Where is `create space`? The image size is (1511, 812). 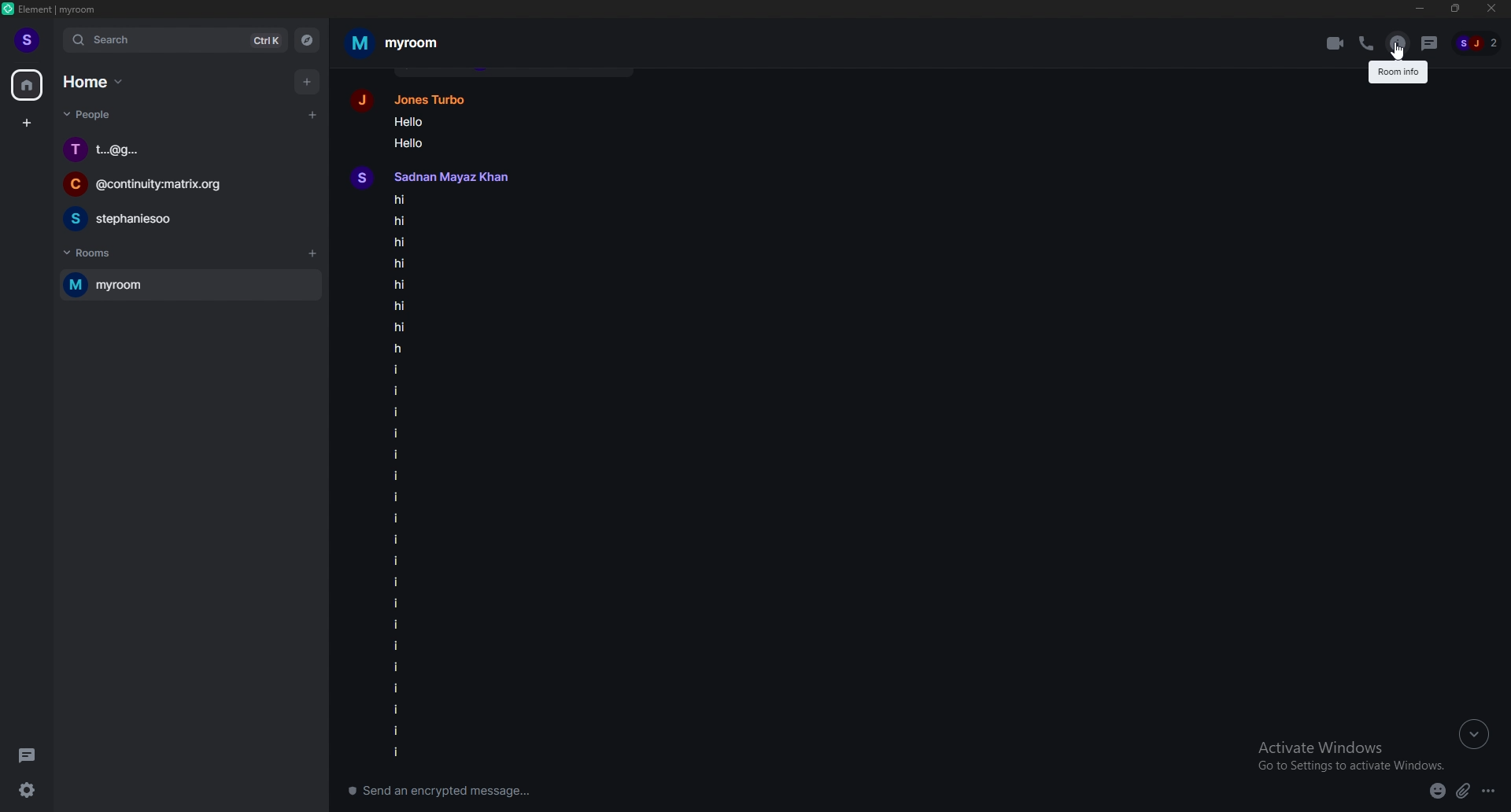
create space is located at coordinates (27, 124).